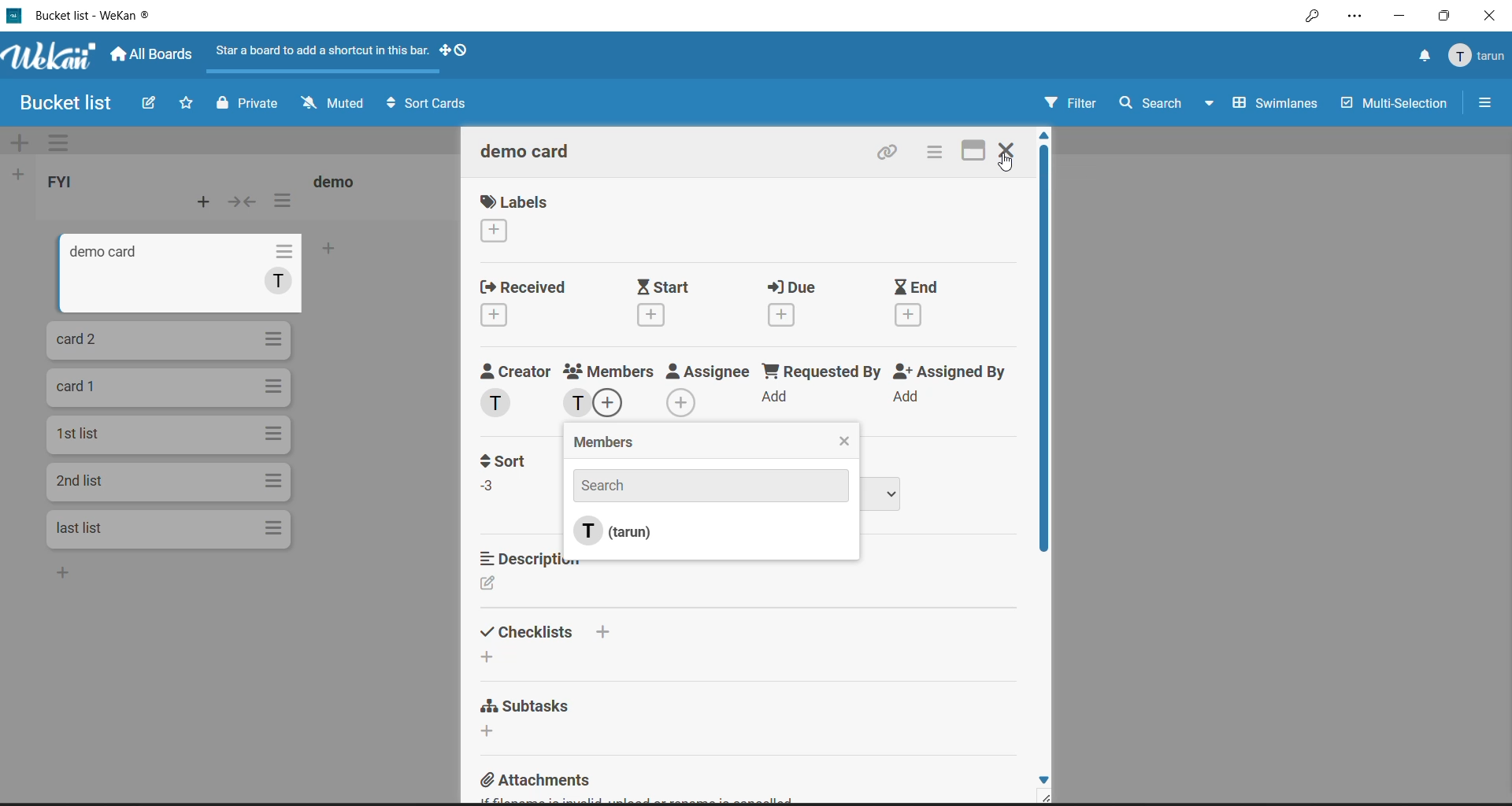  What do you see at coordinates (186, 102) in the screenshot?
I see `click to star this board` at bounding box center [186, 102].